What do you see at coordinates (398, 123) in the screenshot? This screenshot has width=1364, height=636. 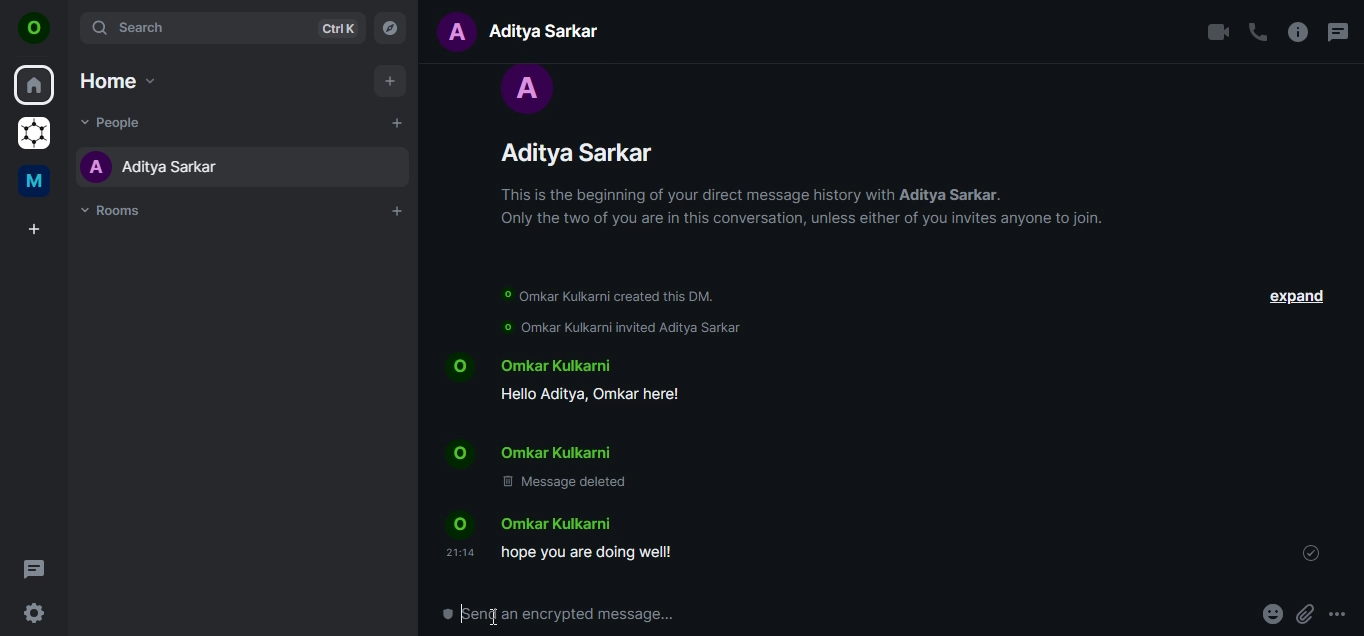 I see `start chat` at bounding box center [398, 123].